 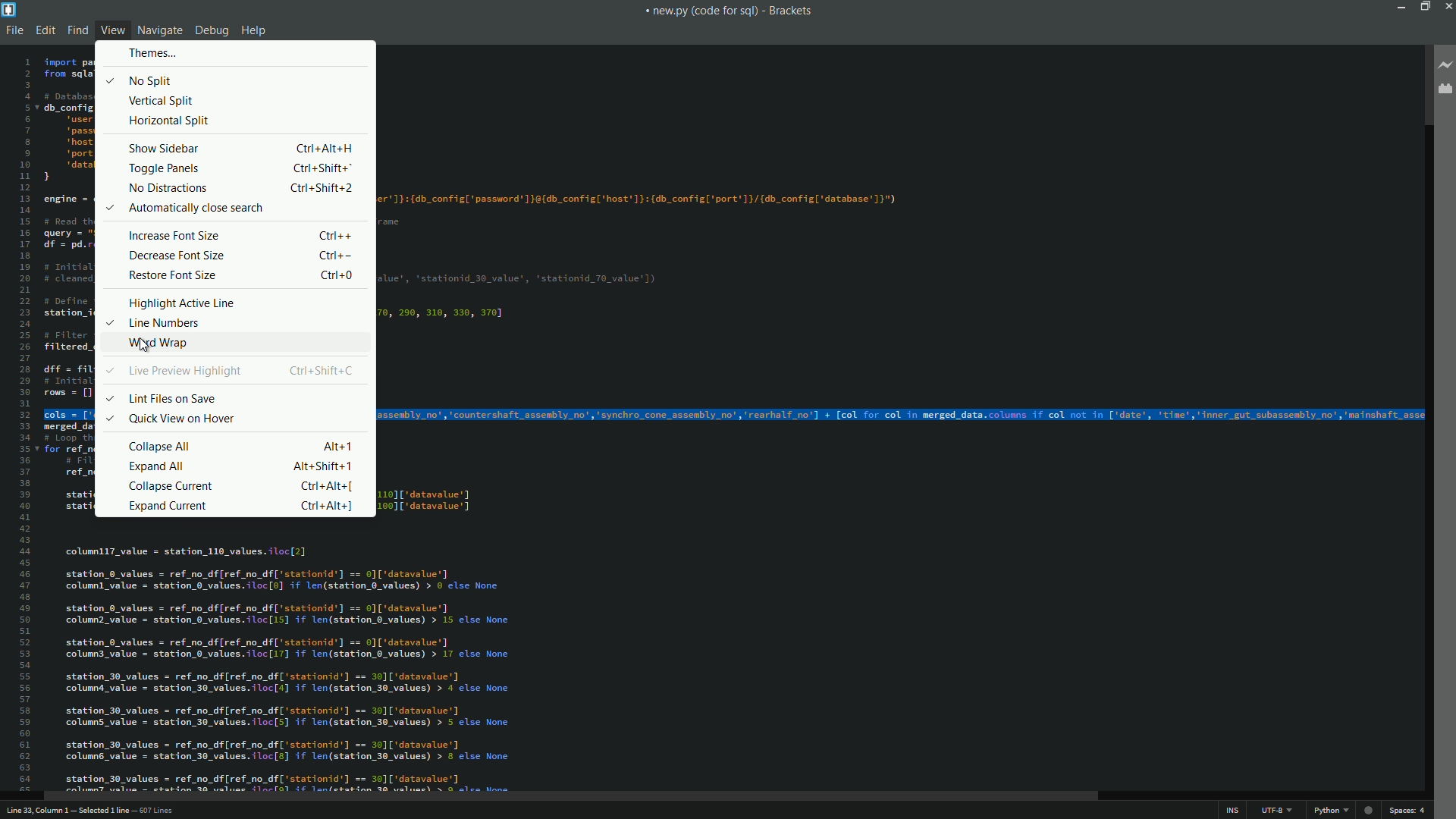 What do you see at coordinates (1369, 808) in the screenshot?
I see `web` at bounding box center [1369, 808].